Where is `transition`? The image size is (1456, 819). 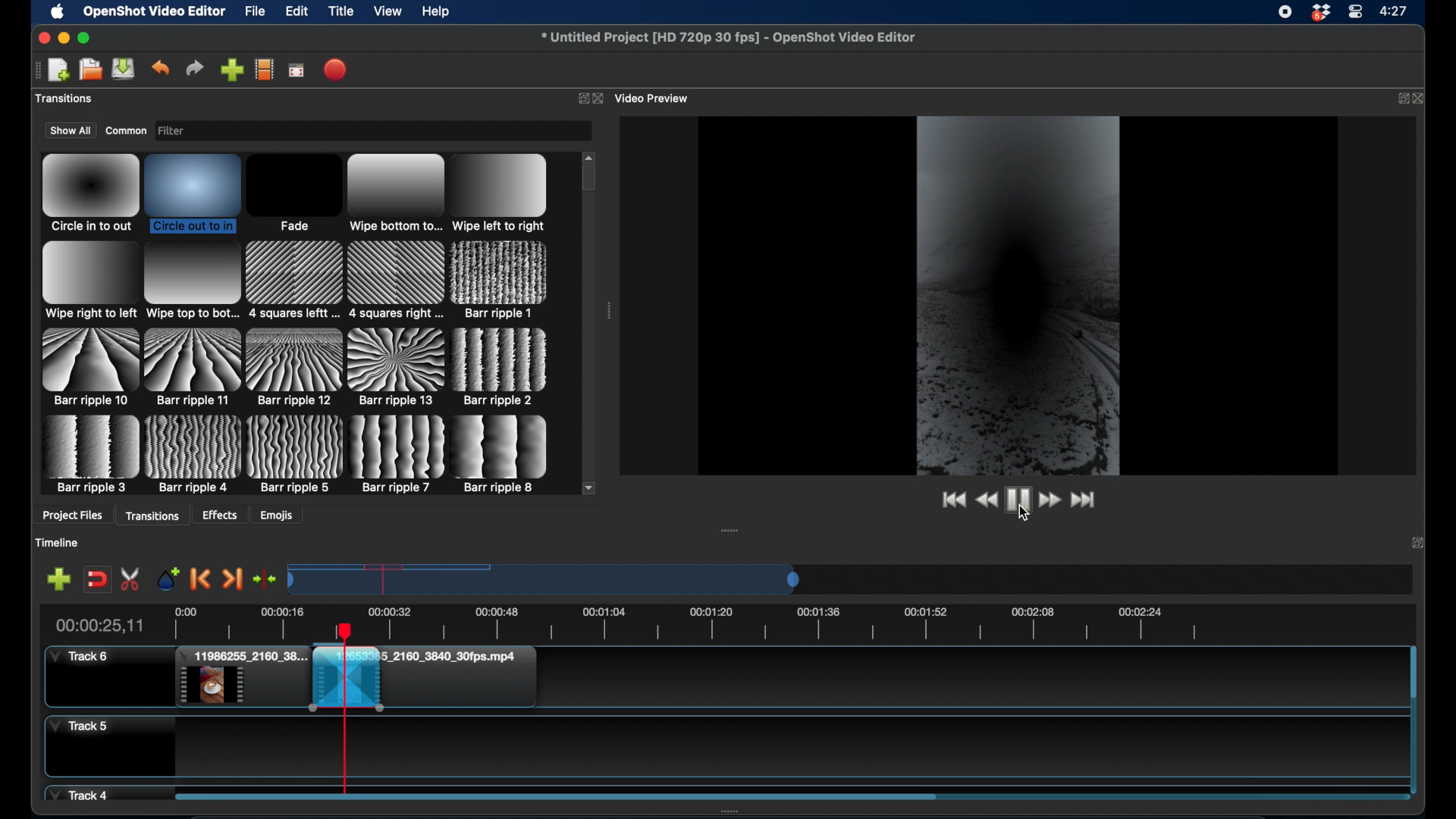 transition is located at coordinates (90, 454).